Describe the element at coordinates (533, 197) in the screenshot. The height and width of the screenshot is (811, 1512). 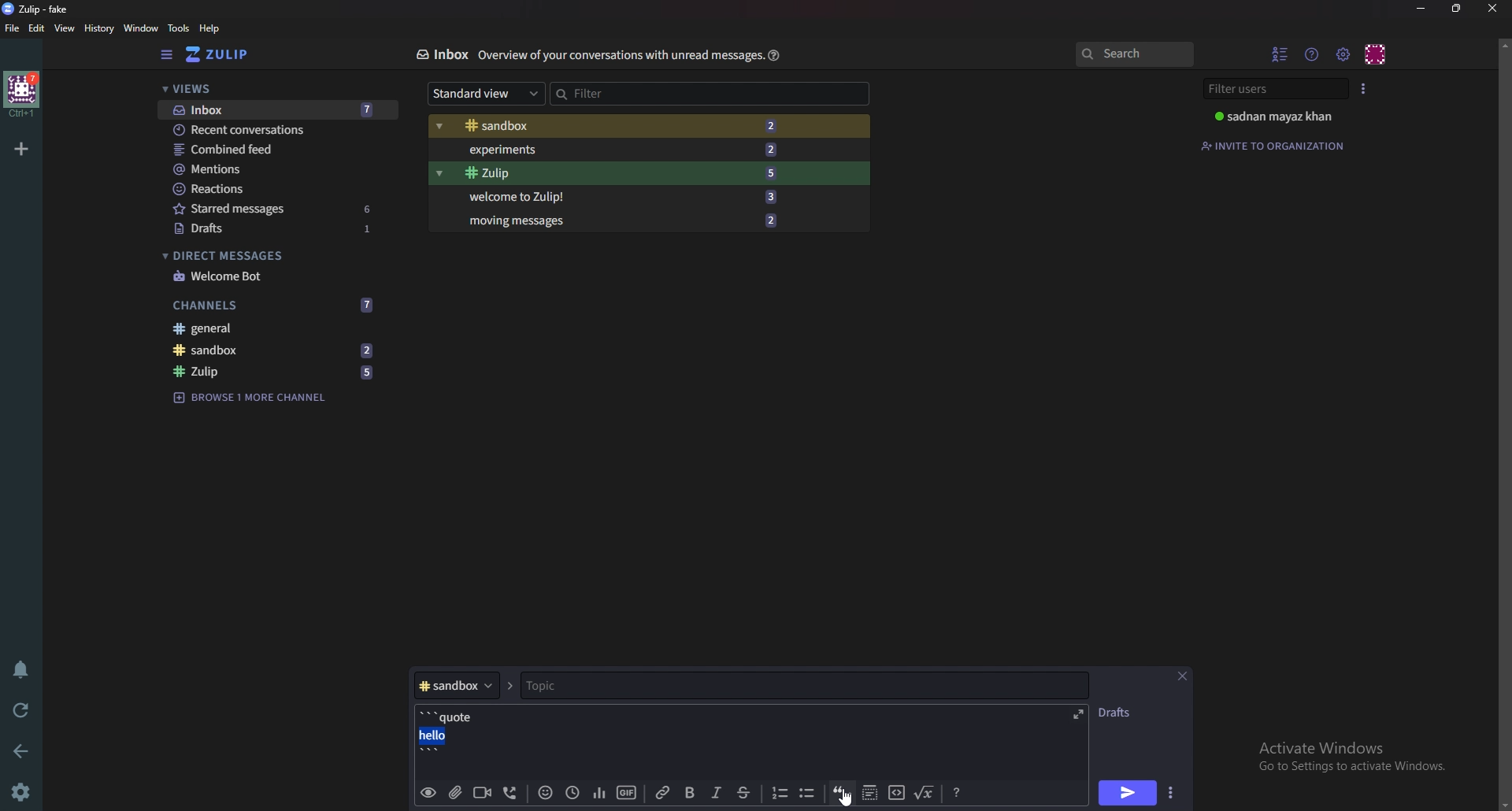
I see `Welcome to Zulip` at that location.